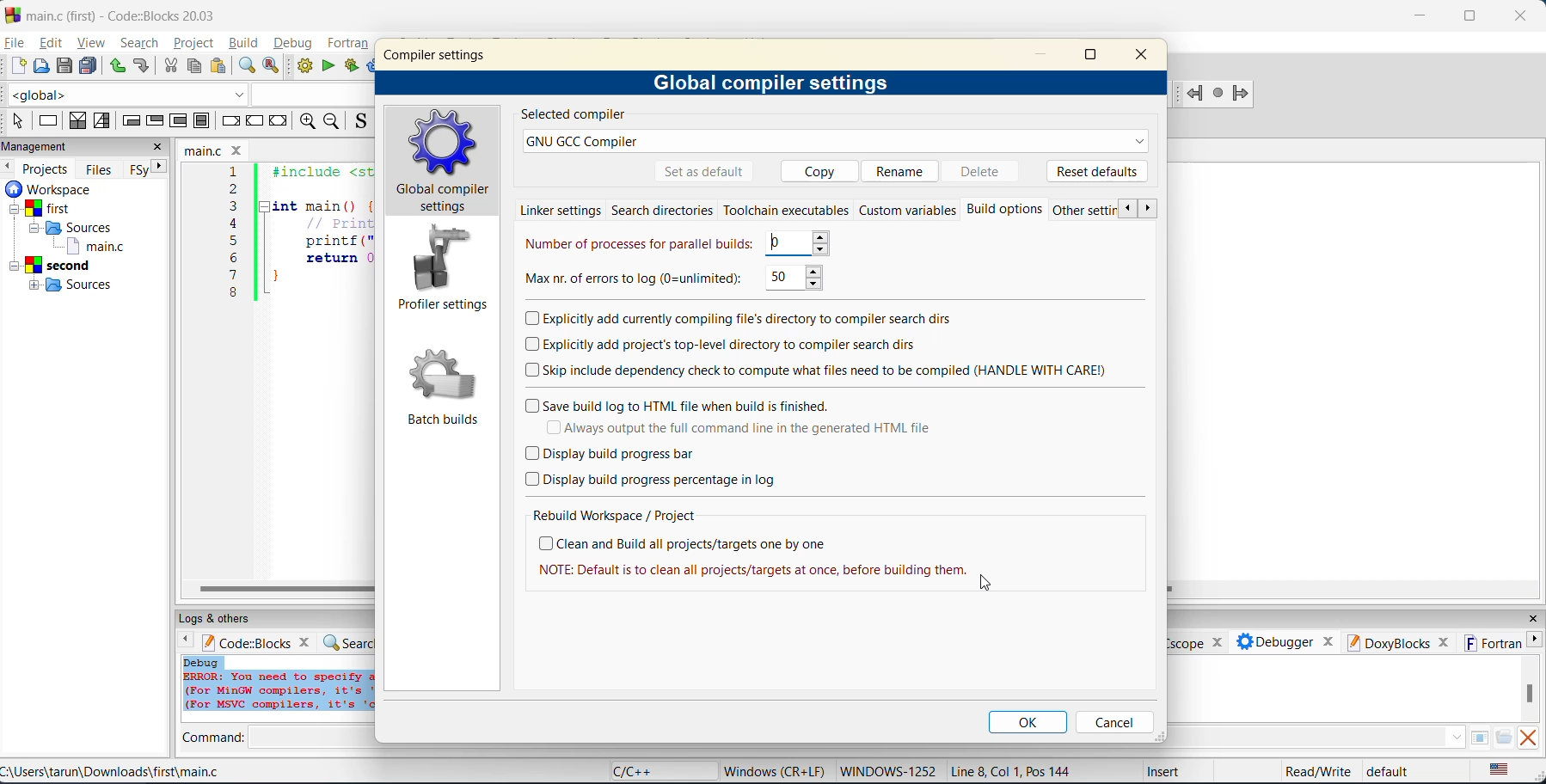 This screenshot has width=1546, height=784. What do you see at coordinates (132, 123) in the screenshot?
I see `entry-condition loop` at bounding box center [132, 123].